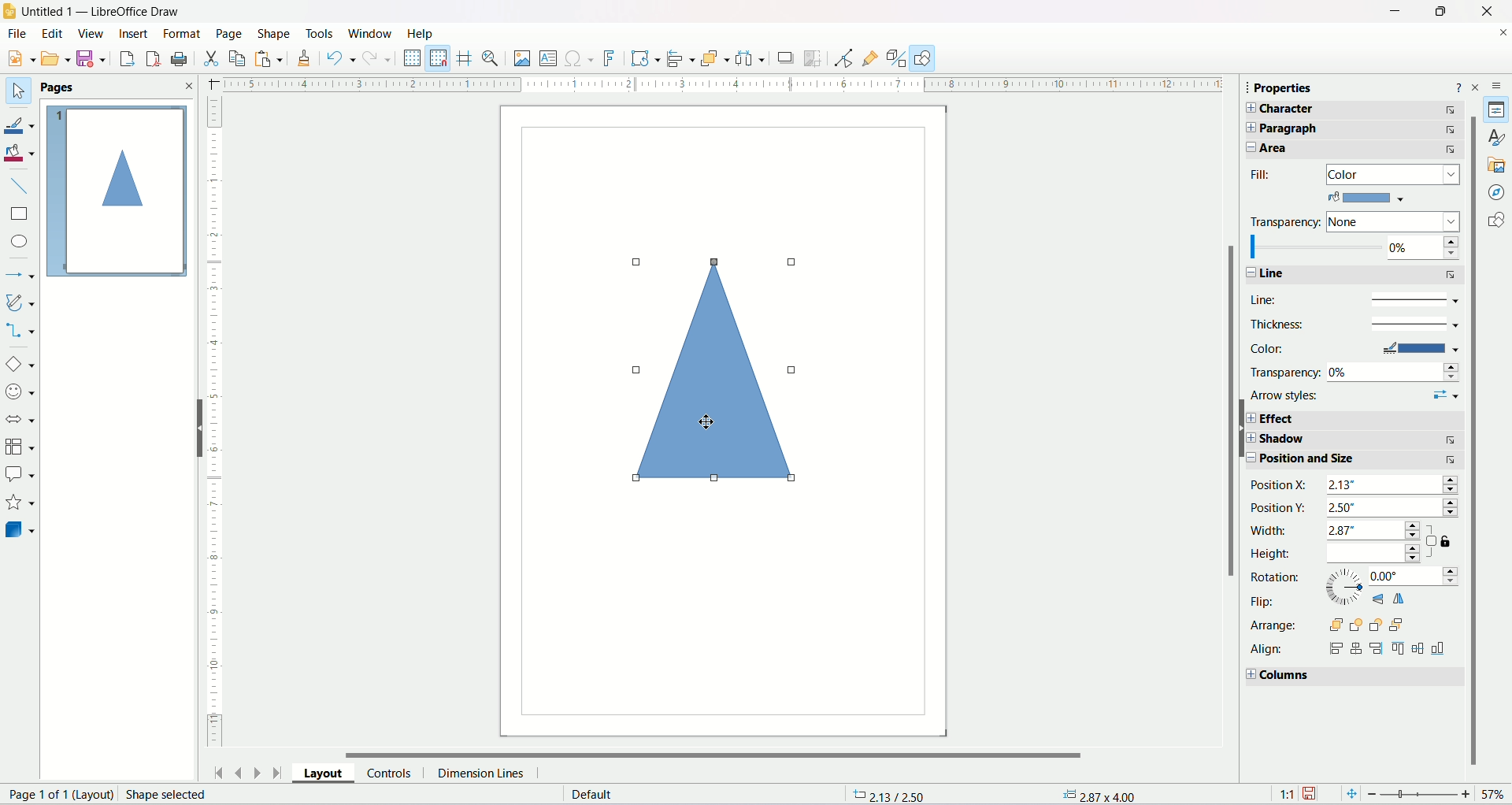 This screenshot has height=805, width=1512. Describe the element at coordinates (152, 58) in the screenshot. I see `Export directly as pdf` at that location.